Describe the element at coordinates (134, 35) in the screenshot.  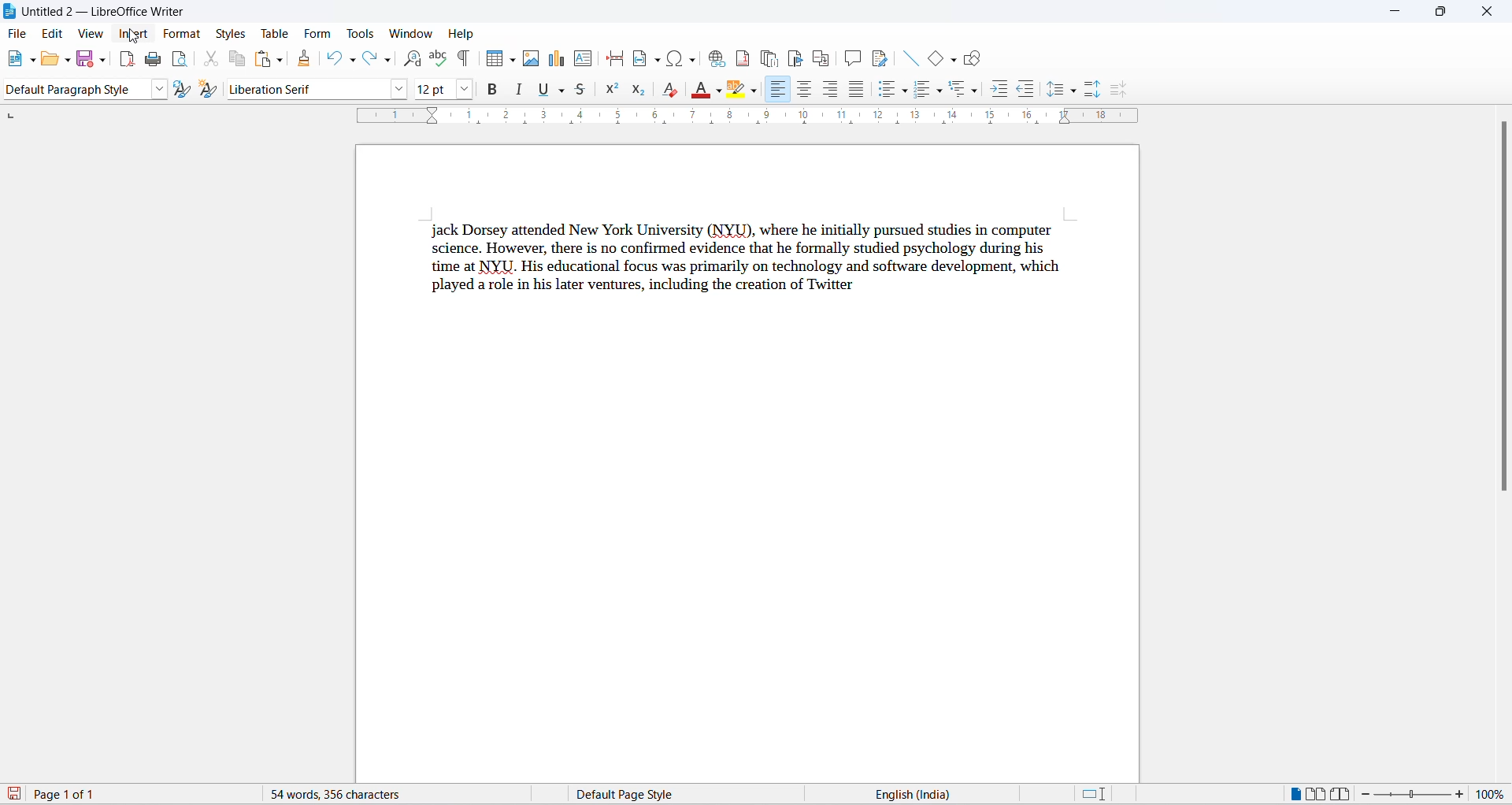
I see `insert` at that location.